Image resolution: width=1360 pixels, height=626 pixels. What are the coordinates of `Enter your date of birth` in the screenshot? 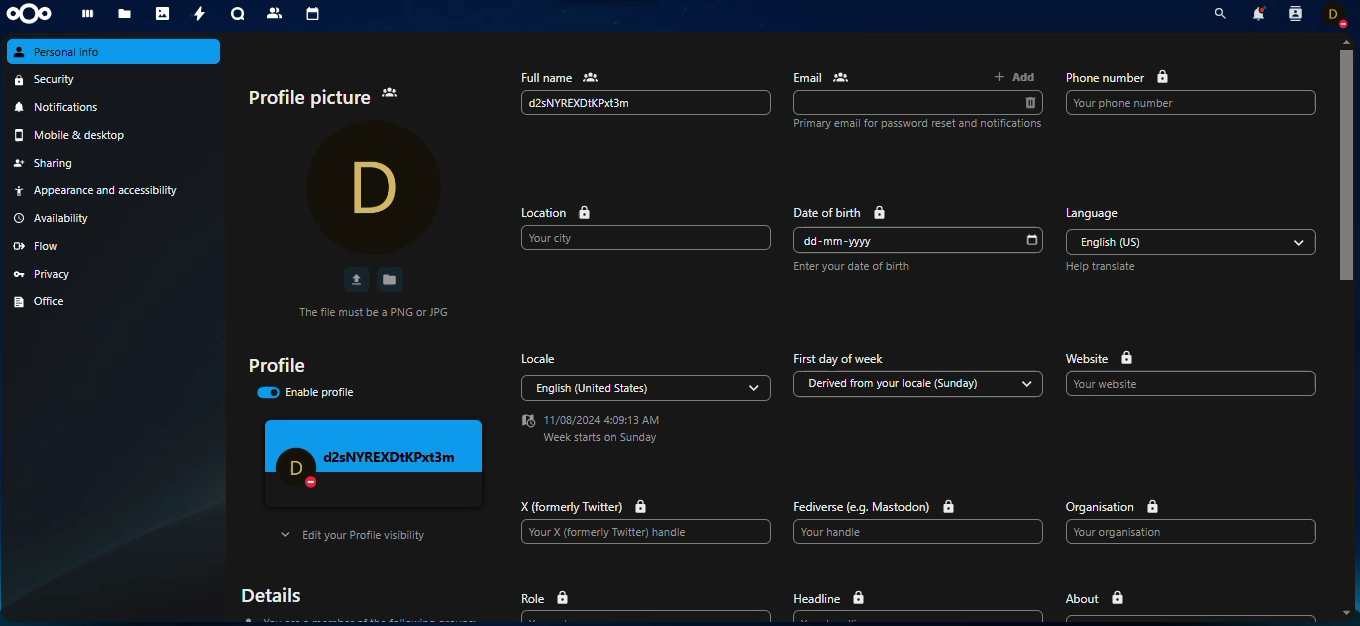 It's located at (852, 267).